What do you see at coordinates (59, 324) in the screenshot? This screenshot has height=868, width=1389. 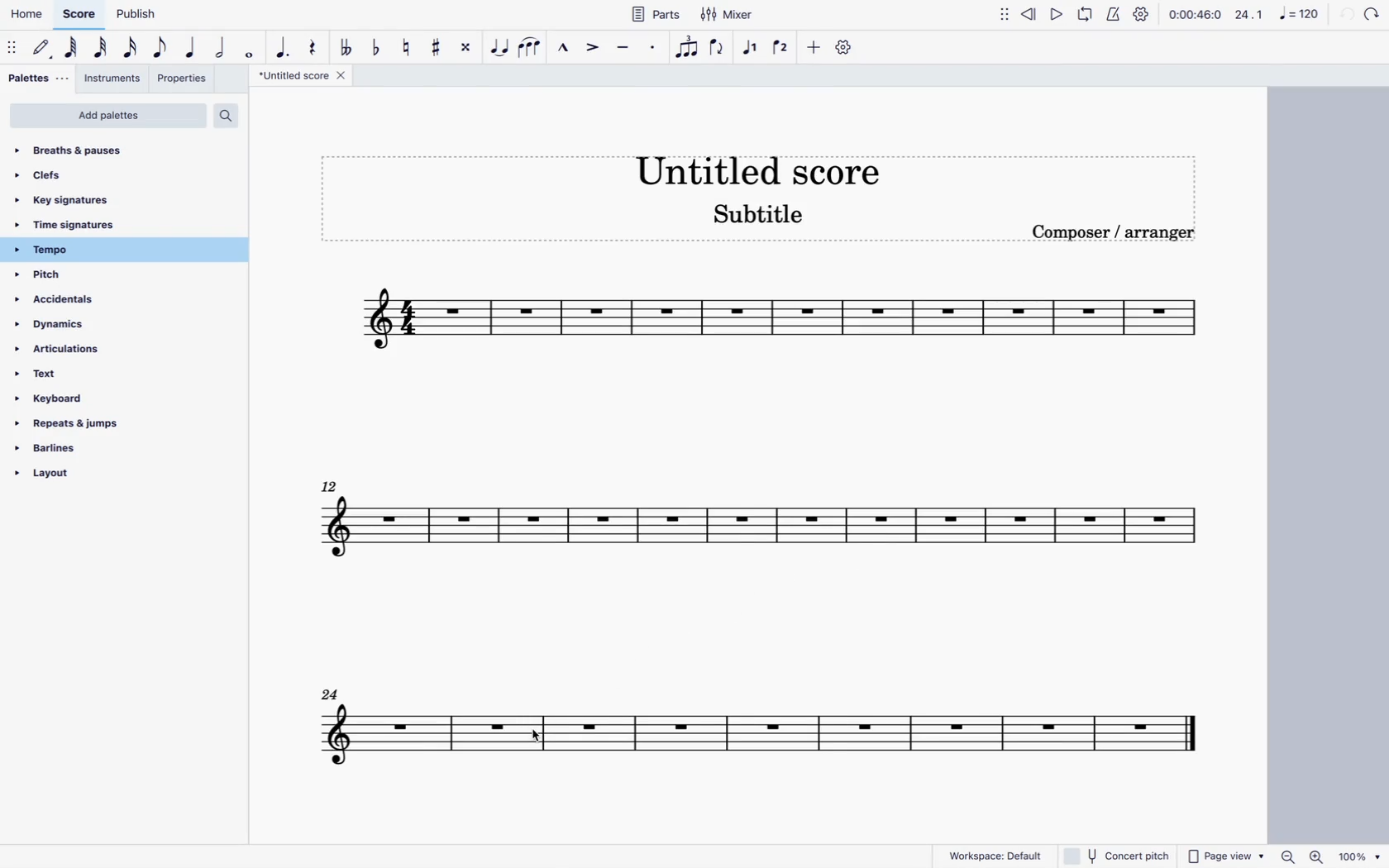 I see `dynamics` at bounding box center [59, 324].